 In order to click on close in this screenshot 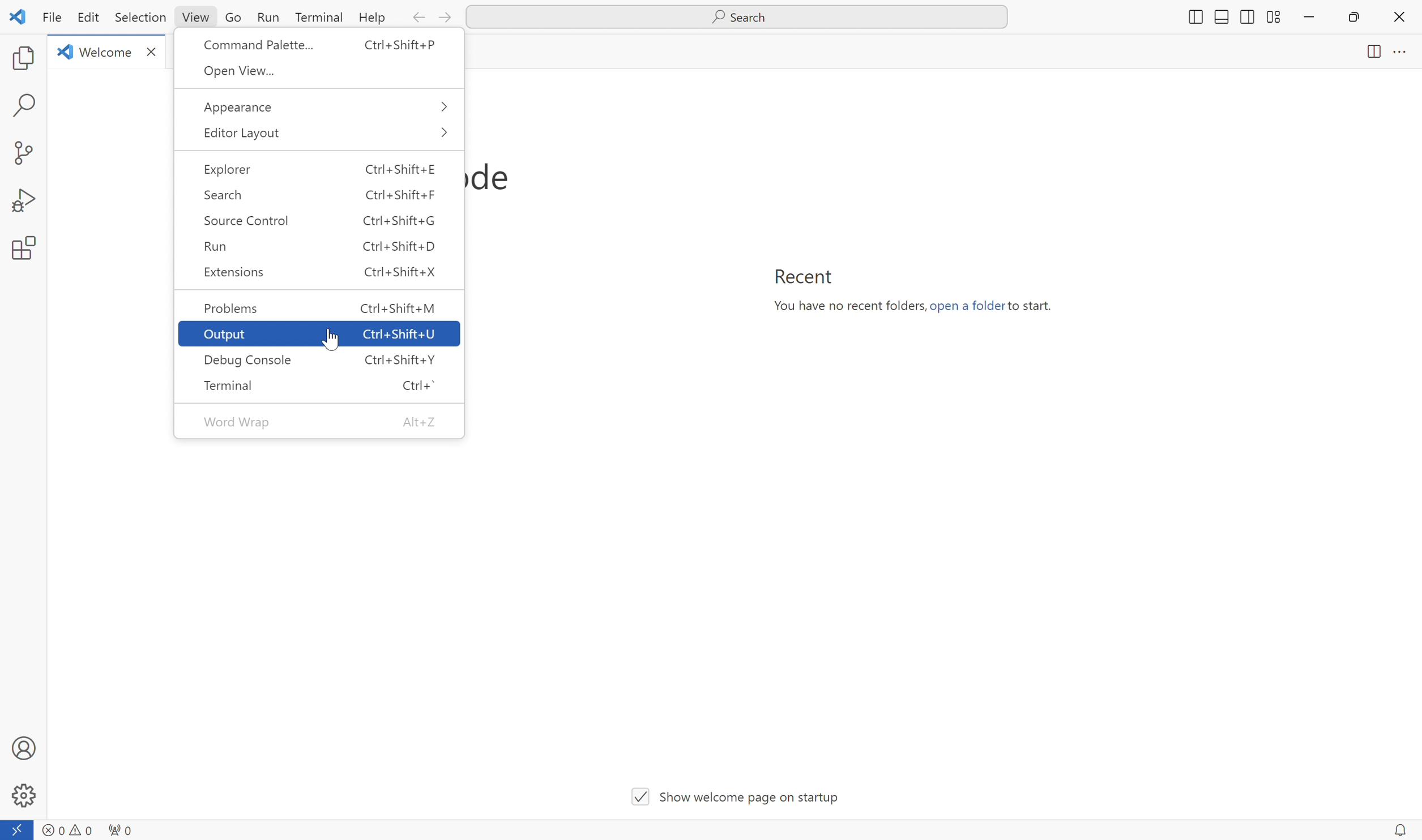, I will do `click(1400, 19)`.